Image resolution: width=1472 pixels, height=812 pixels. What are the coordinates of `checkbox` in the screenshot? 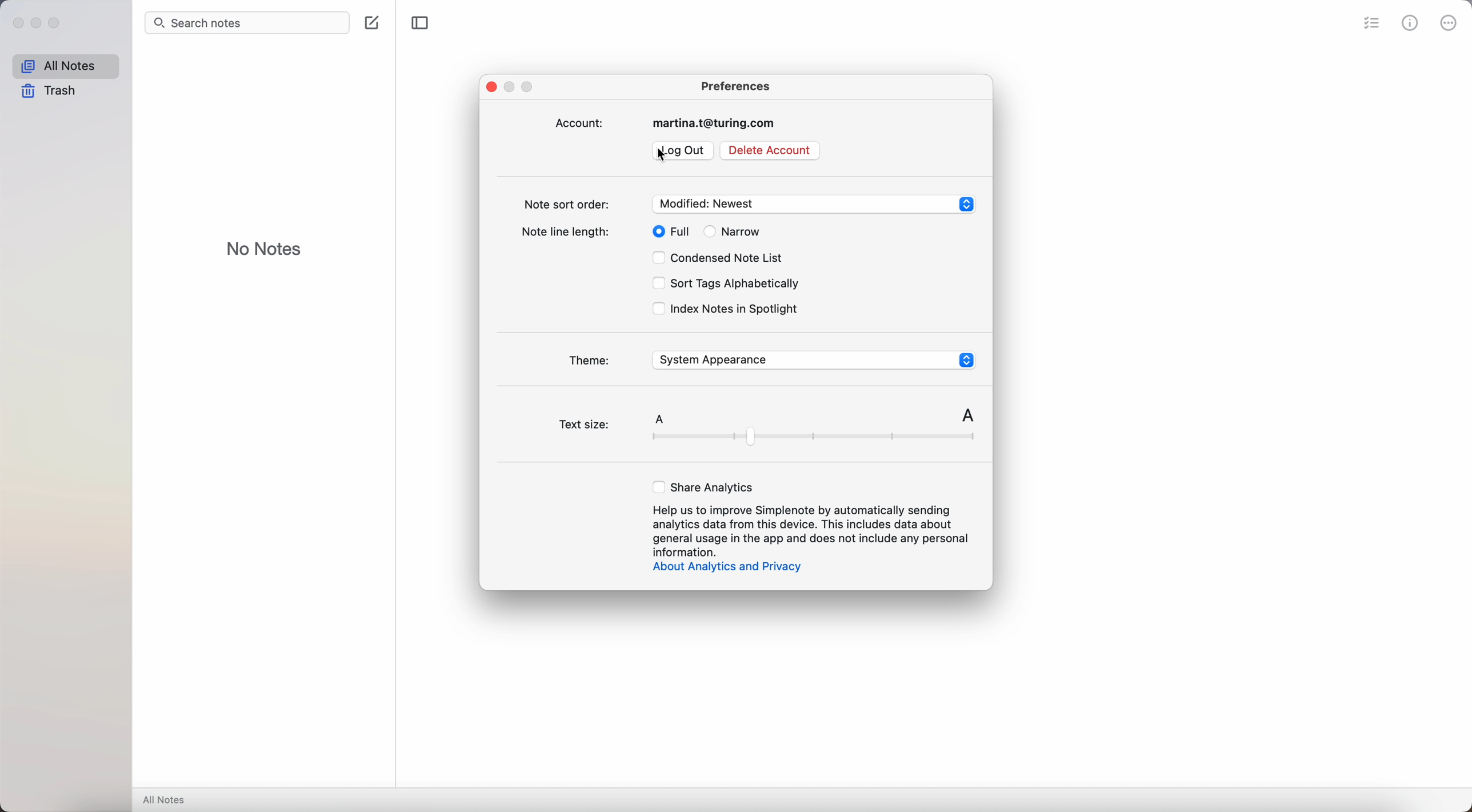 It's located at (652, 259).